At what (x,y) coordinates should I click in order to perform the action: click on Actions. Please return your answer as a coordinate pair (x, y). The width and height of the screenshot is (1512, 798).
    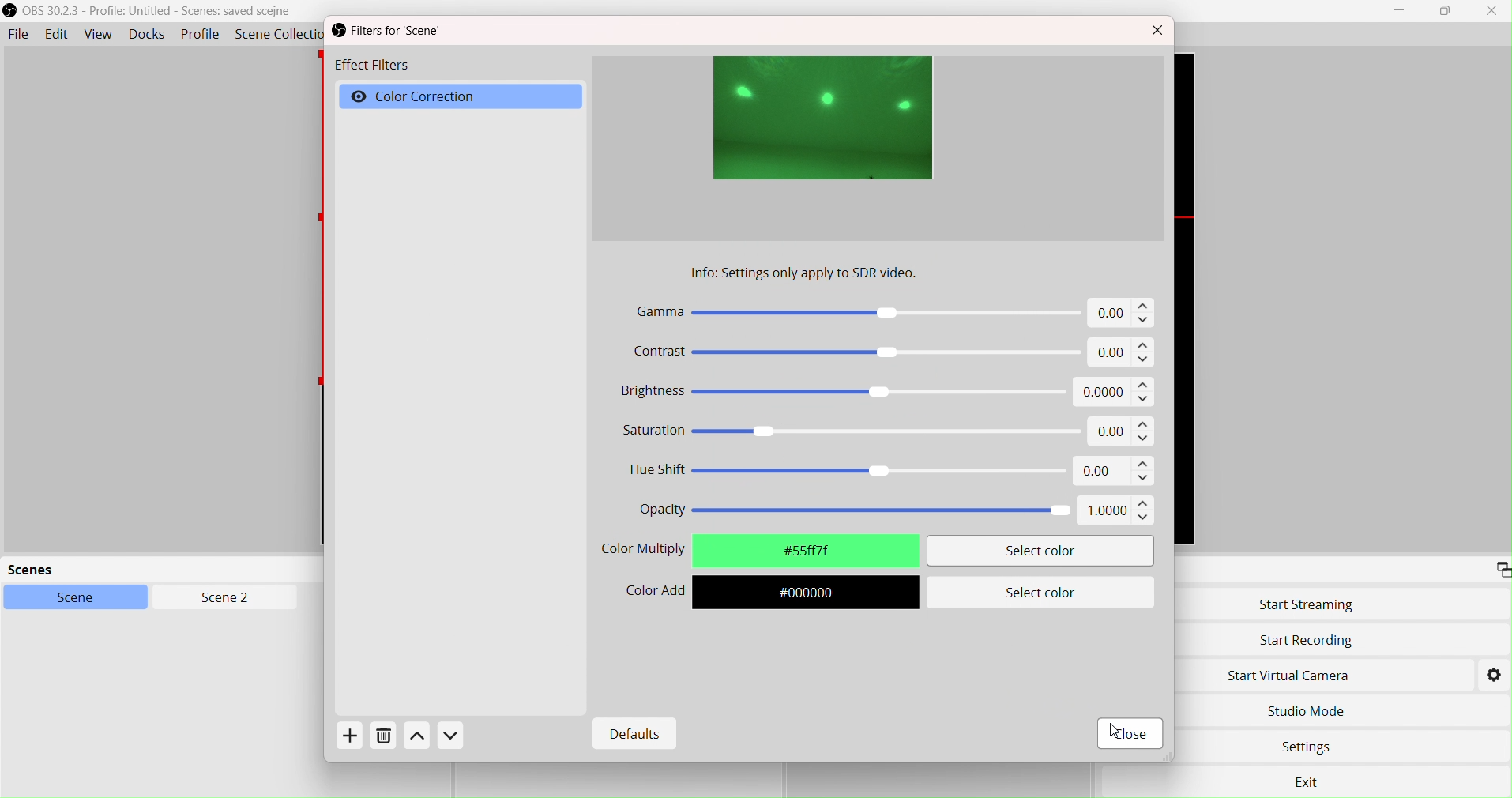
    Looking at the image, I should click on (434, 737).